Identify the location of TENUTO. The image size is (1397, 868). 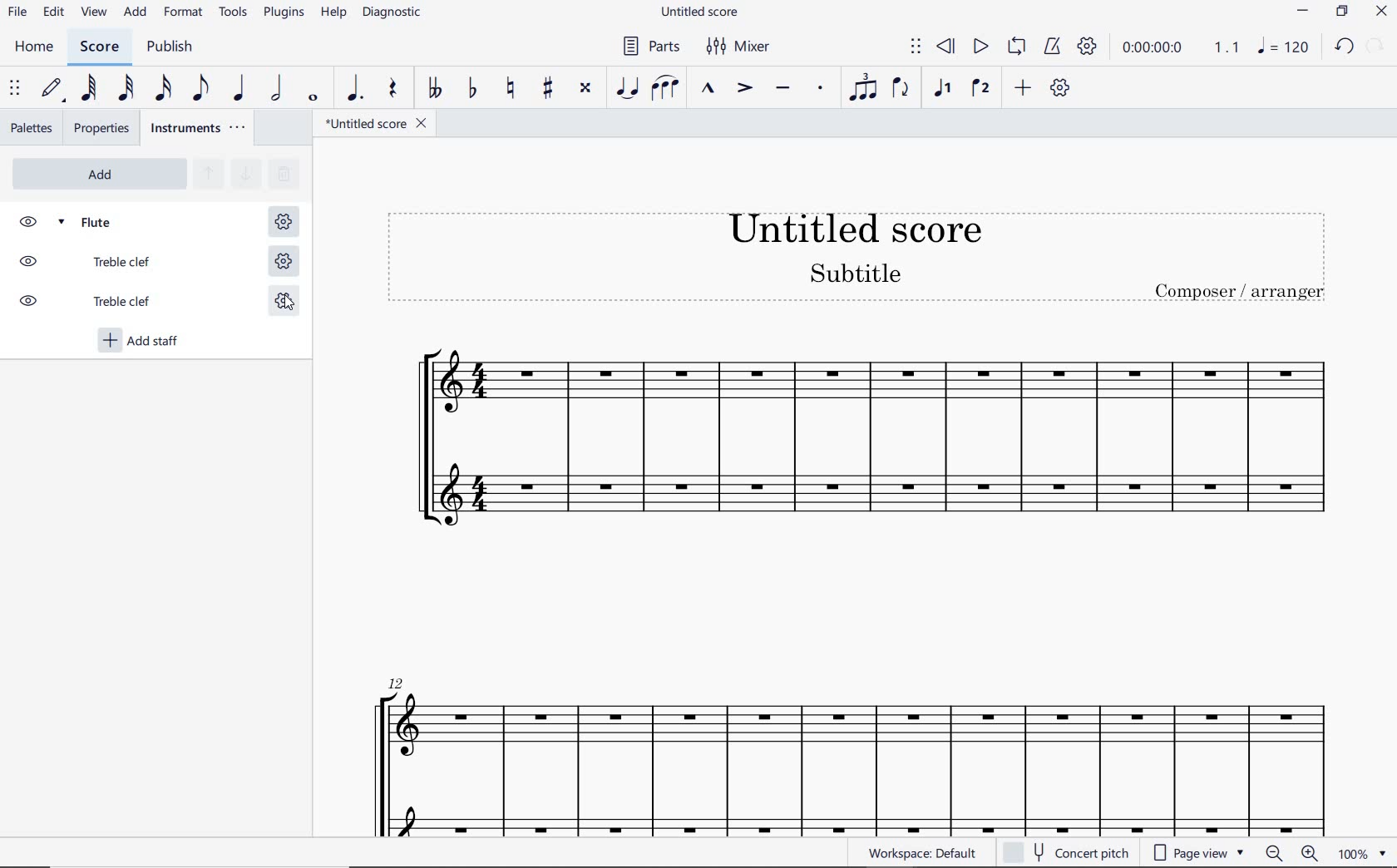
(782, 90).